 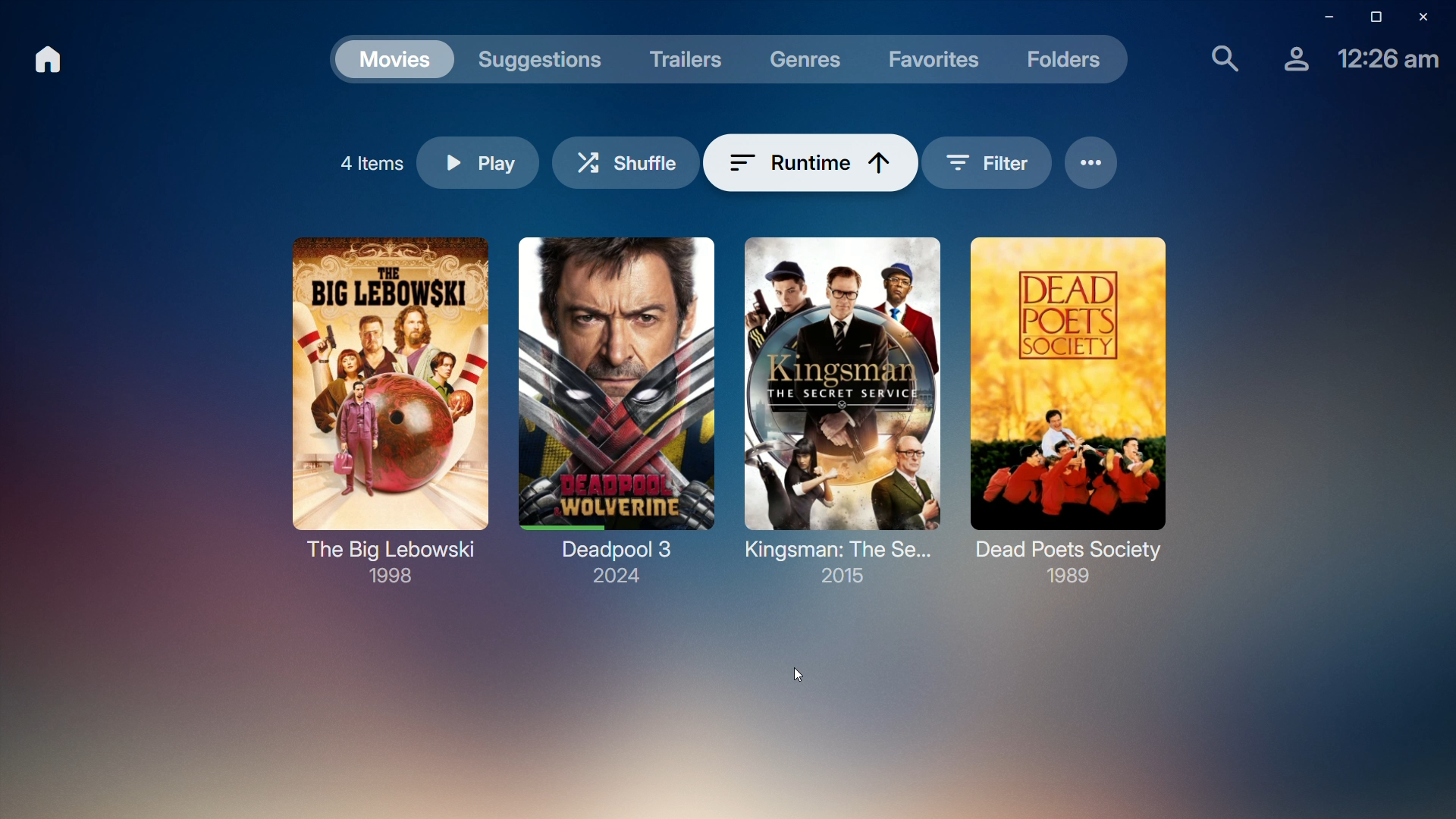 I want to click on Shuffle, so click(x=646, y=158).